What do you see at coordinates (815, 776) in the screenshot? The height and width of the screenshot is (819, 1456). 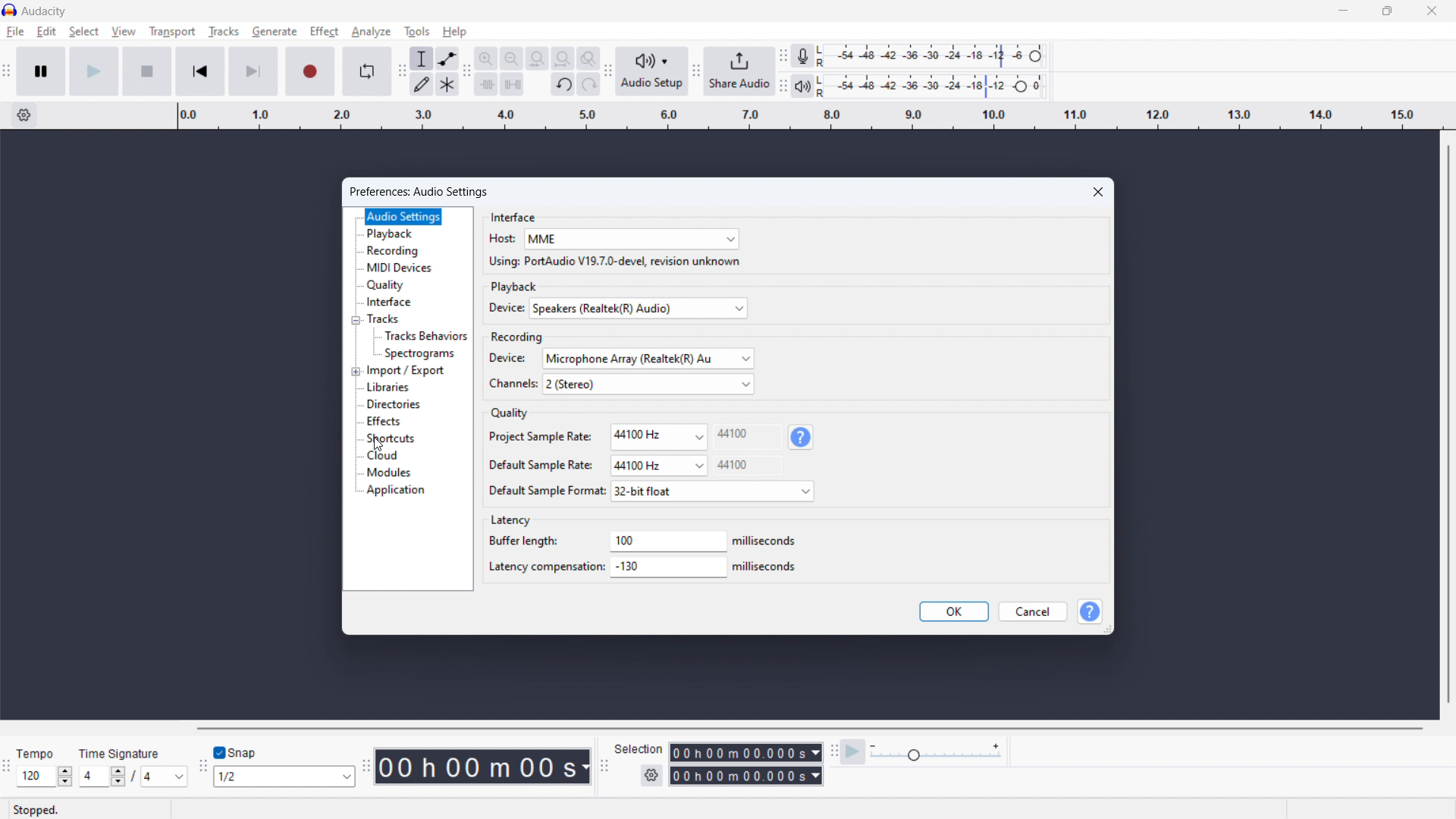 I see `Duration measurement` at bounding box center [815, 776].